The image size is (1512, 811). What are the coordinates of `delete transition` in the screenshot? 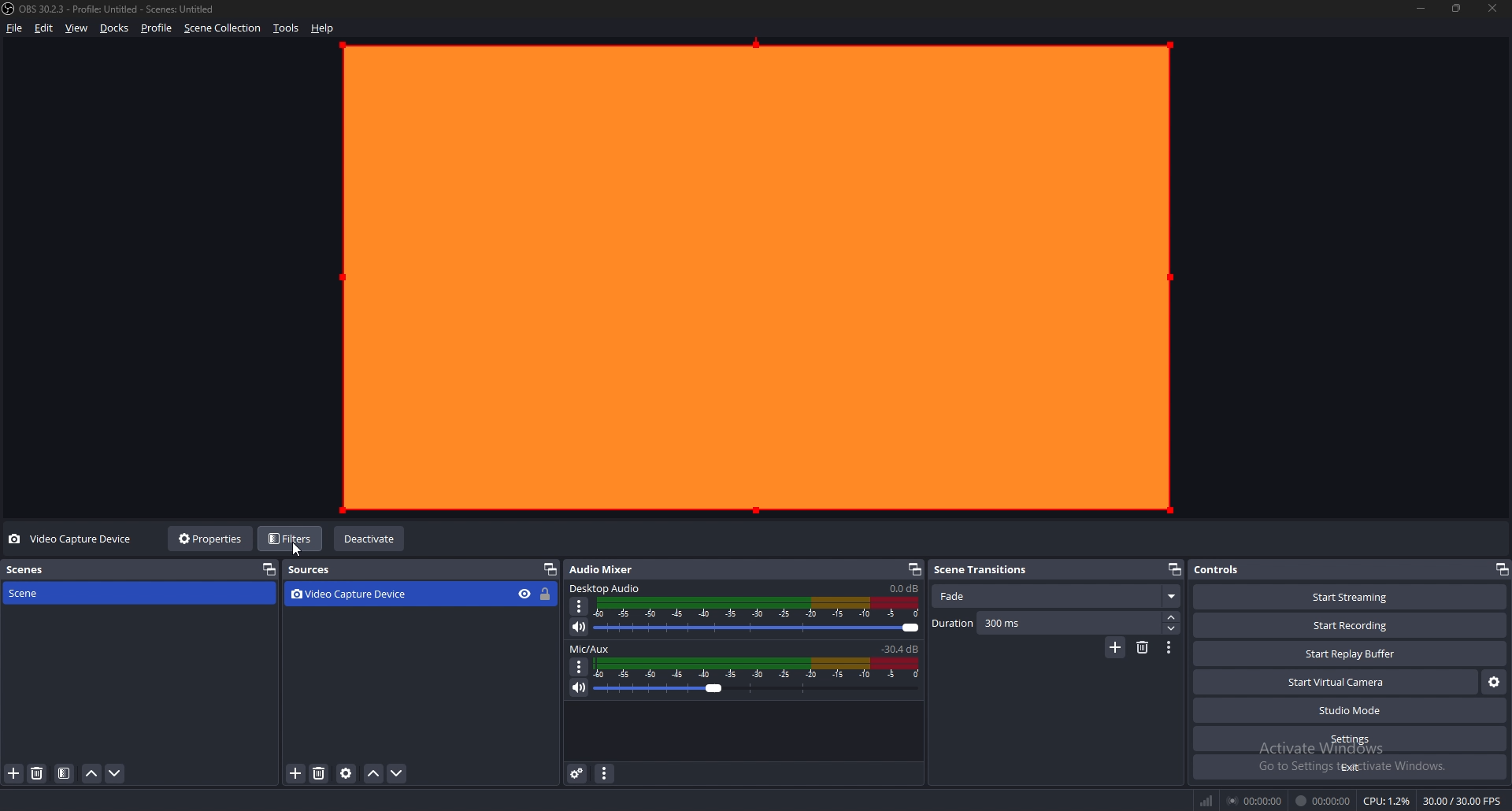 It's located at (1143, 647).